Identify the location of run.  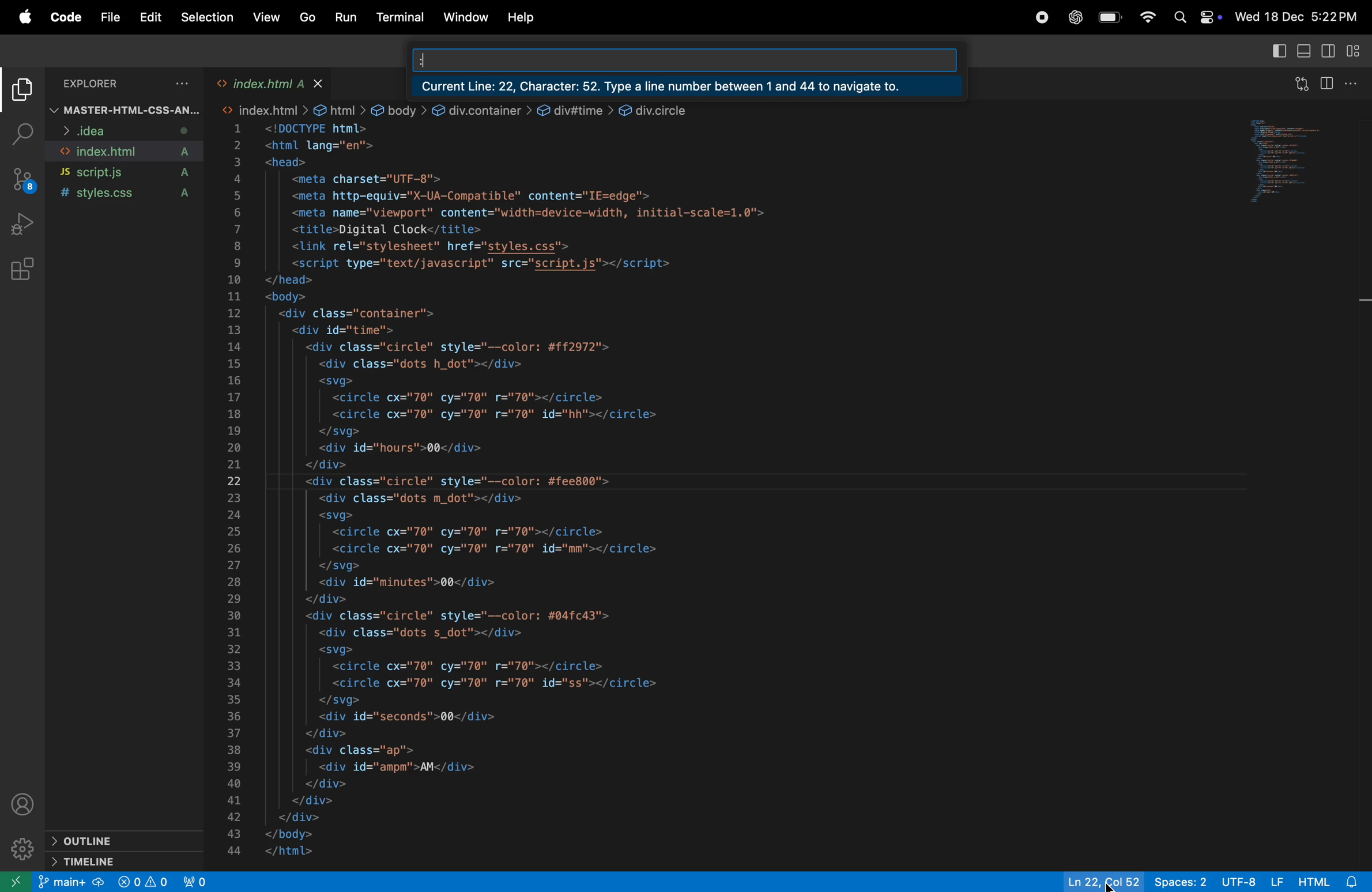
(342, 18).